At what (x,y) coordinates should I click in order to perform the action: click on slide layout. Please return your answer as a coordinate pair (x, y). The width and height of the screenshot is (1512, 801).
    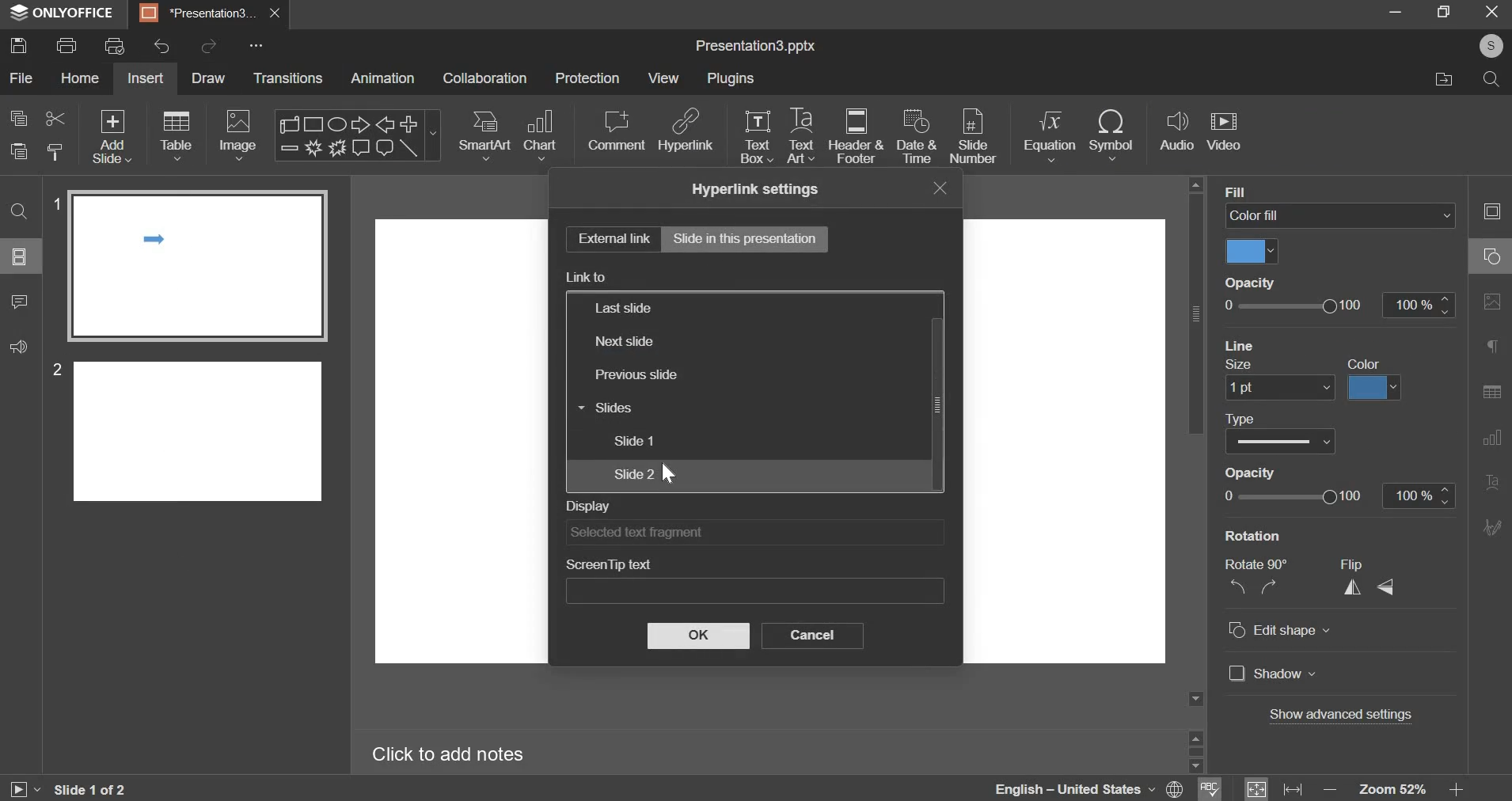
    Looking at the image, I should click on (19, 256).